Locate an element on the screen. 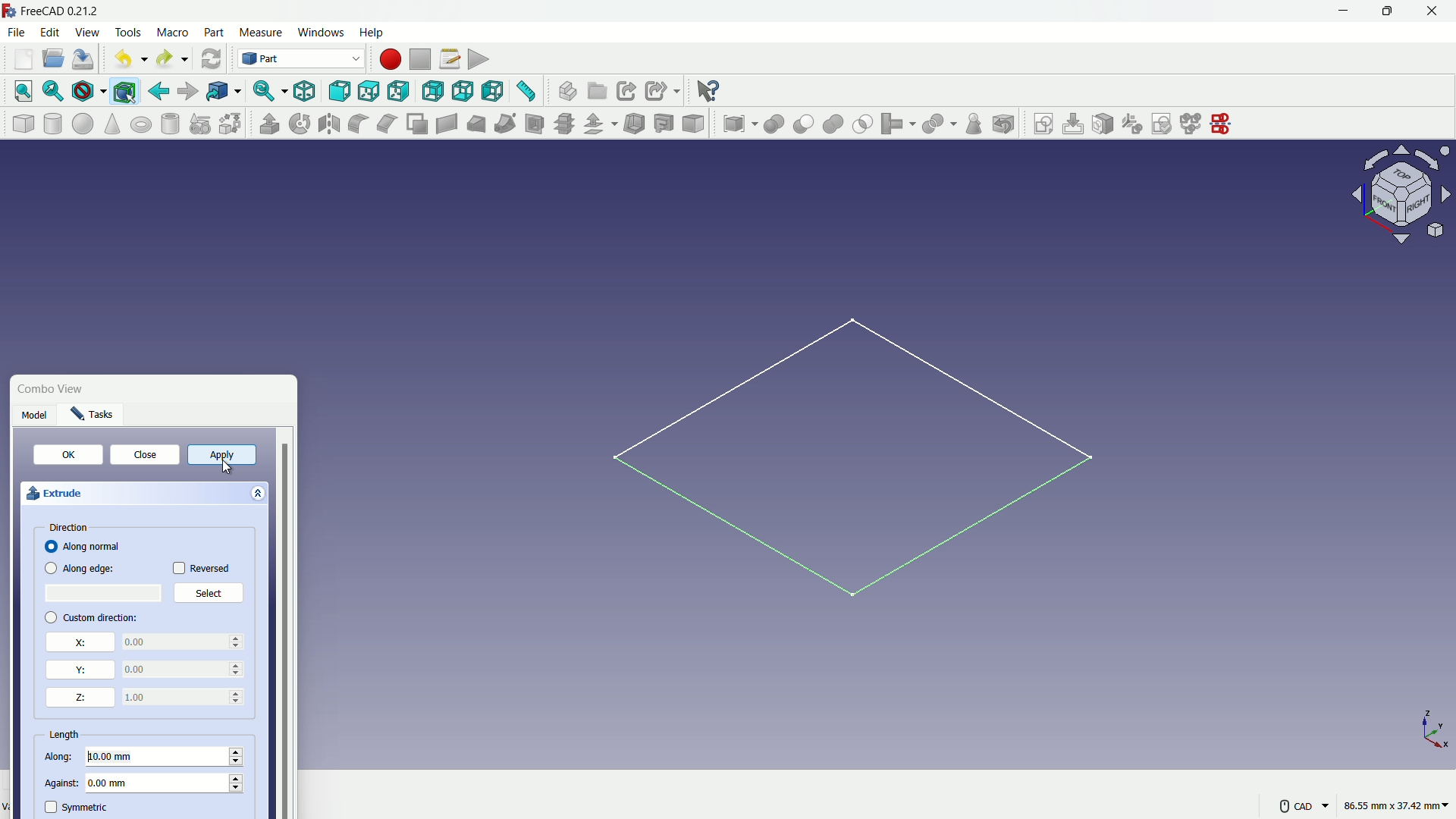 Image resolution: width=1456 pixels, height=819 pixels. edit is located at coordinates (50, 33).